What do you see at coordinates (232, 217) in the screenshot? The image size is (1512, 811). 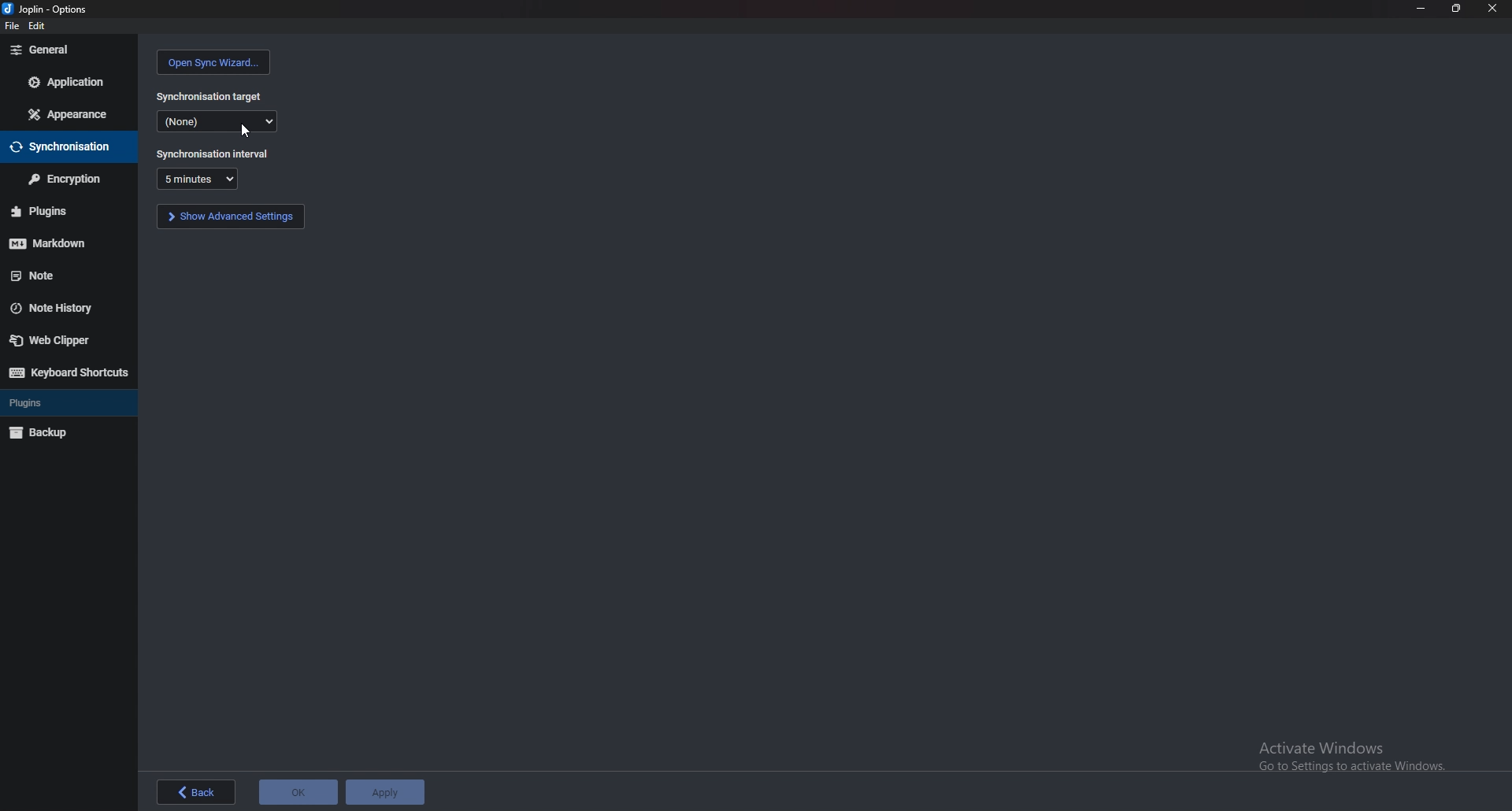 I see `show advanced` at bounding box center [232, 217].